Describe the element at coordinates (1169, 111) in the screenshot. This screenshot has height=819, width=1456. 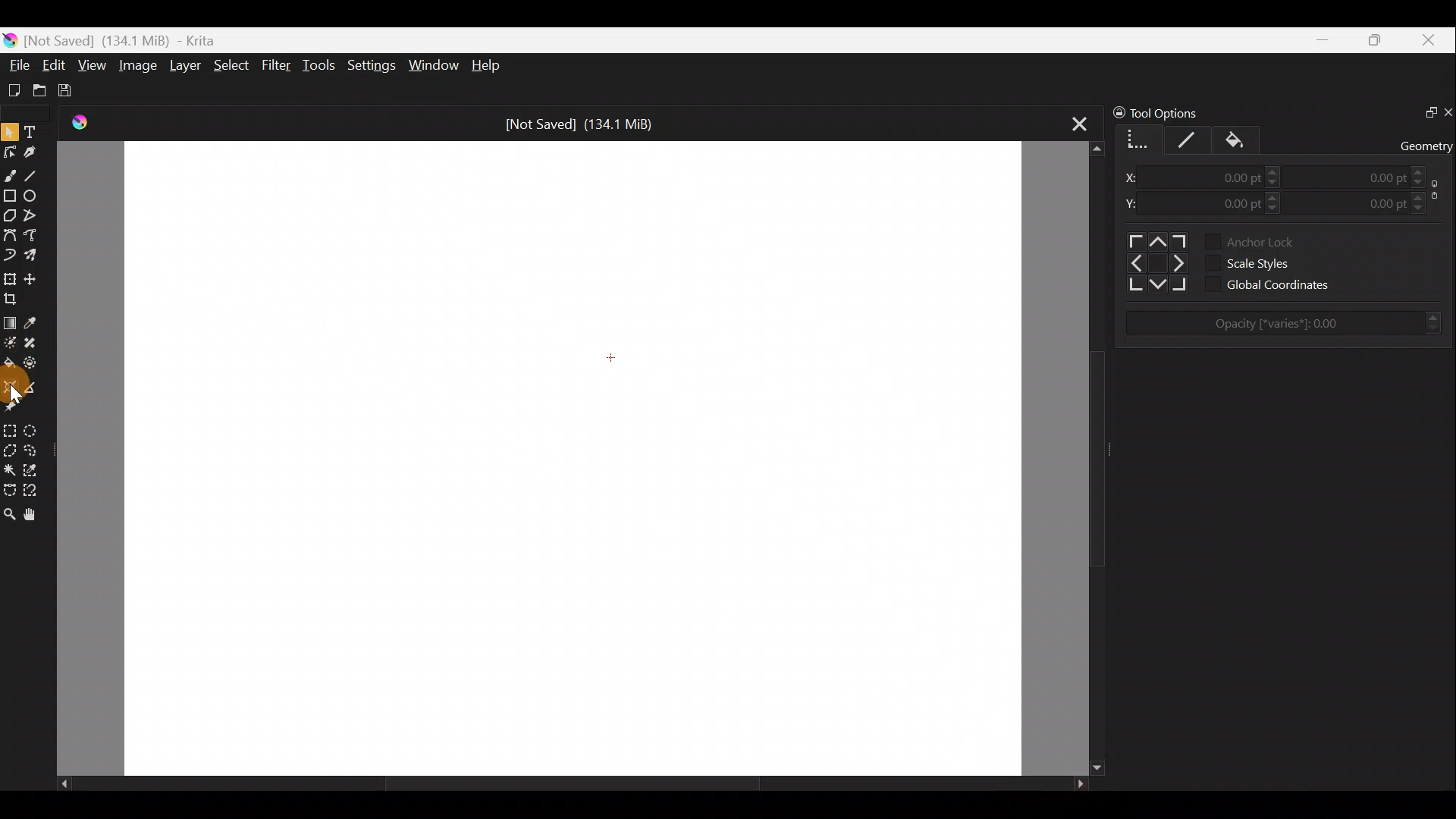
I see `Tool options` at that location.